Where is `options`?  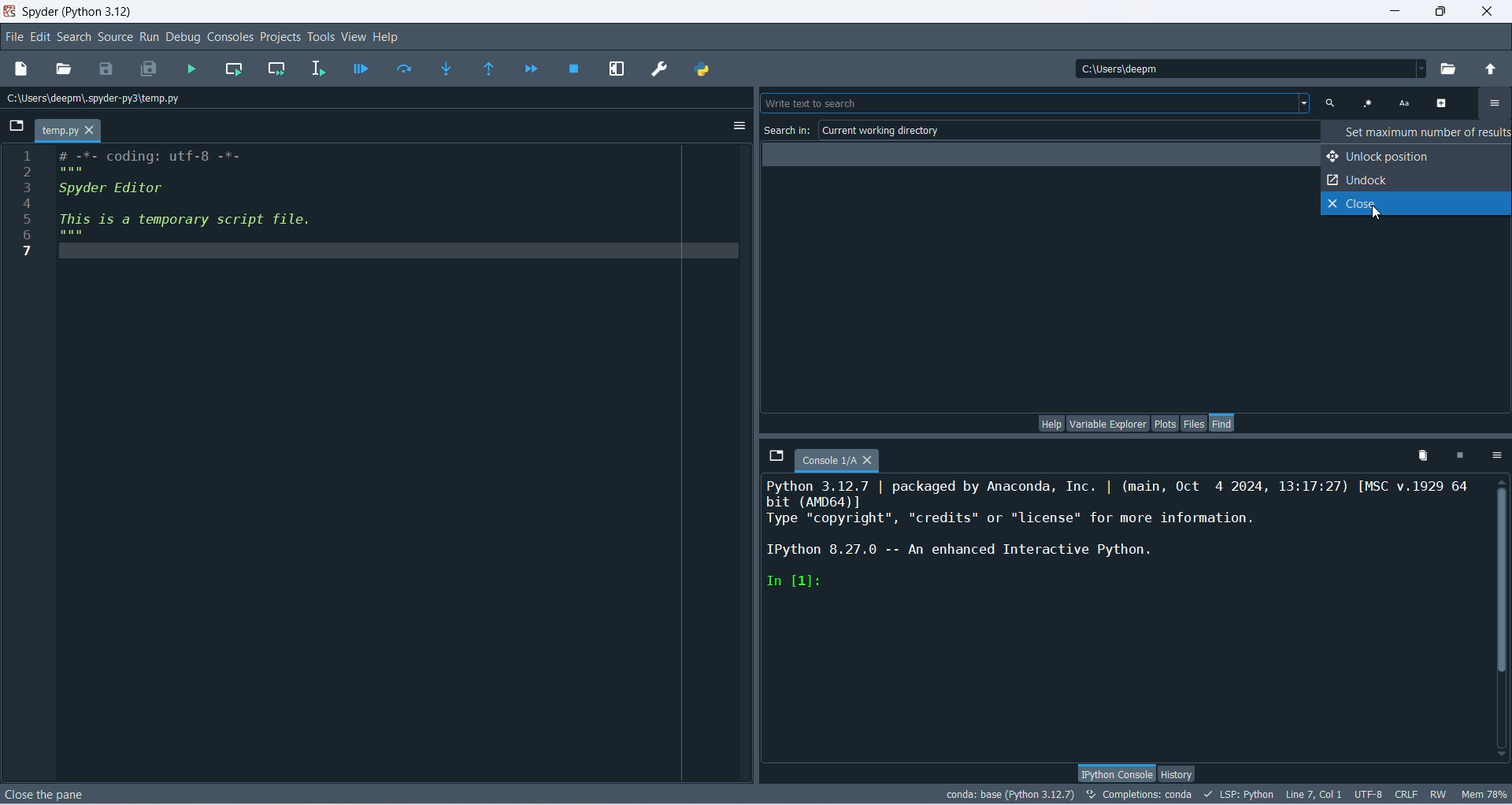
options is located at coordinates (1496, 457).